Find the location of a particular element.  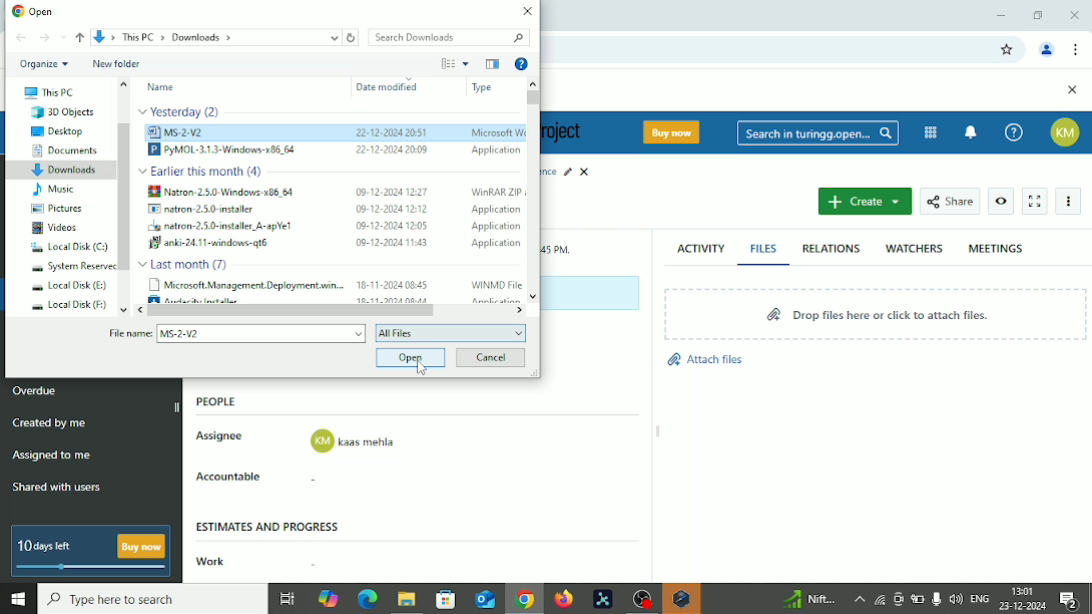

Windows is located at coordinates (17, 600).